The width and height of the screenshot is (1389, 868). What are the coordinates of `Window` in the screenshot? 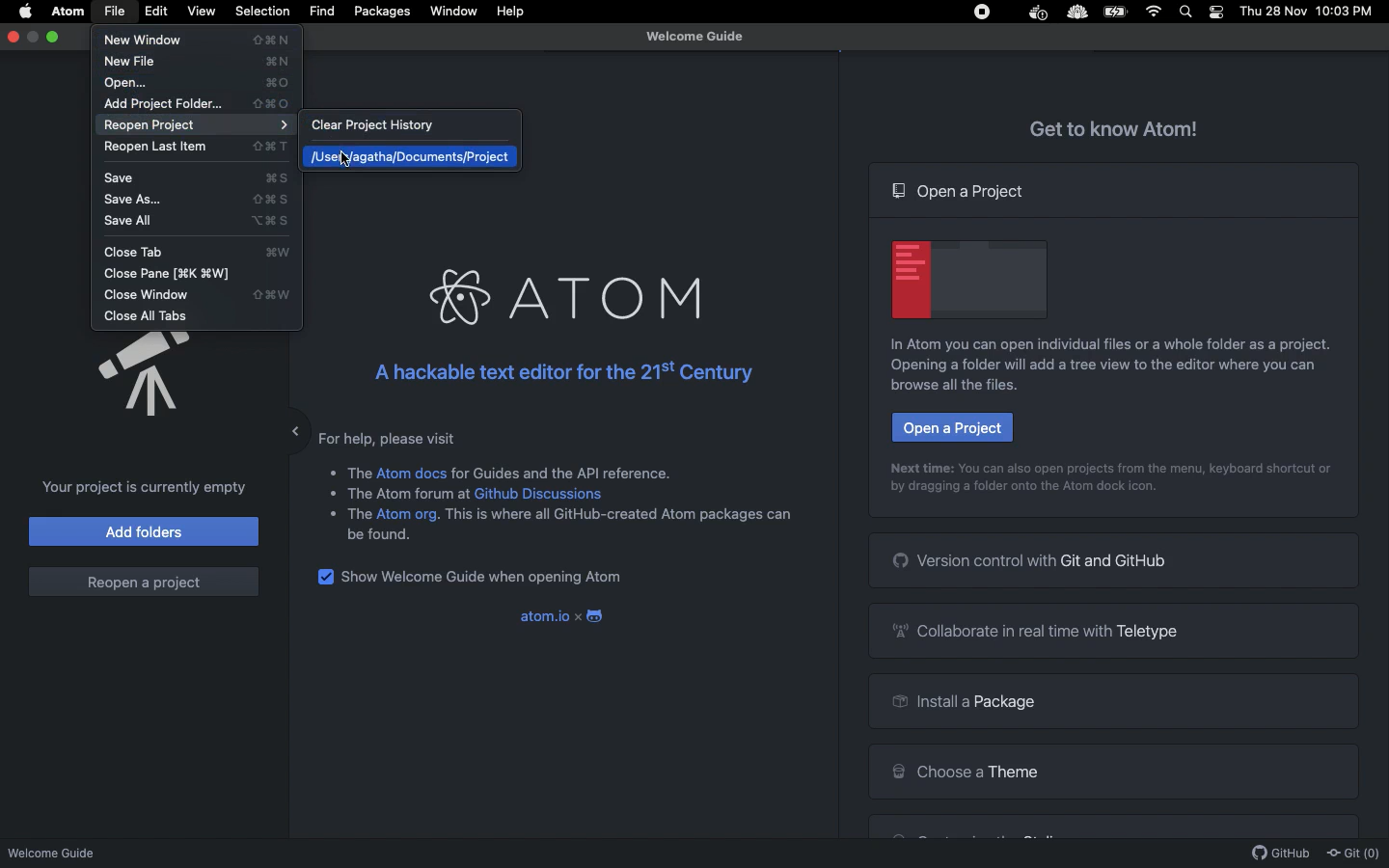 It's located at (454, 12).